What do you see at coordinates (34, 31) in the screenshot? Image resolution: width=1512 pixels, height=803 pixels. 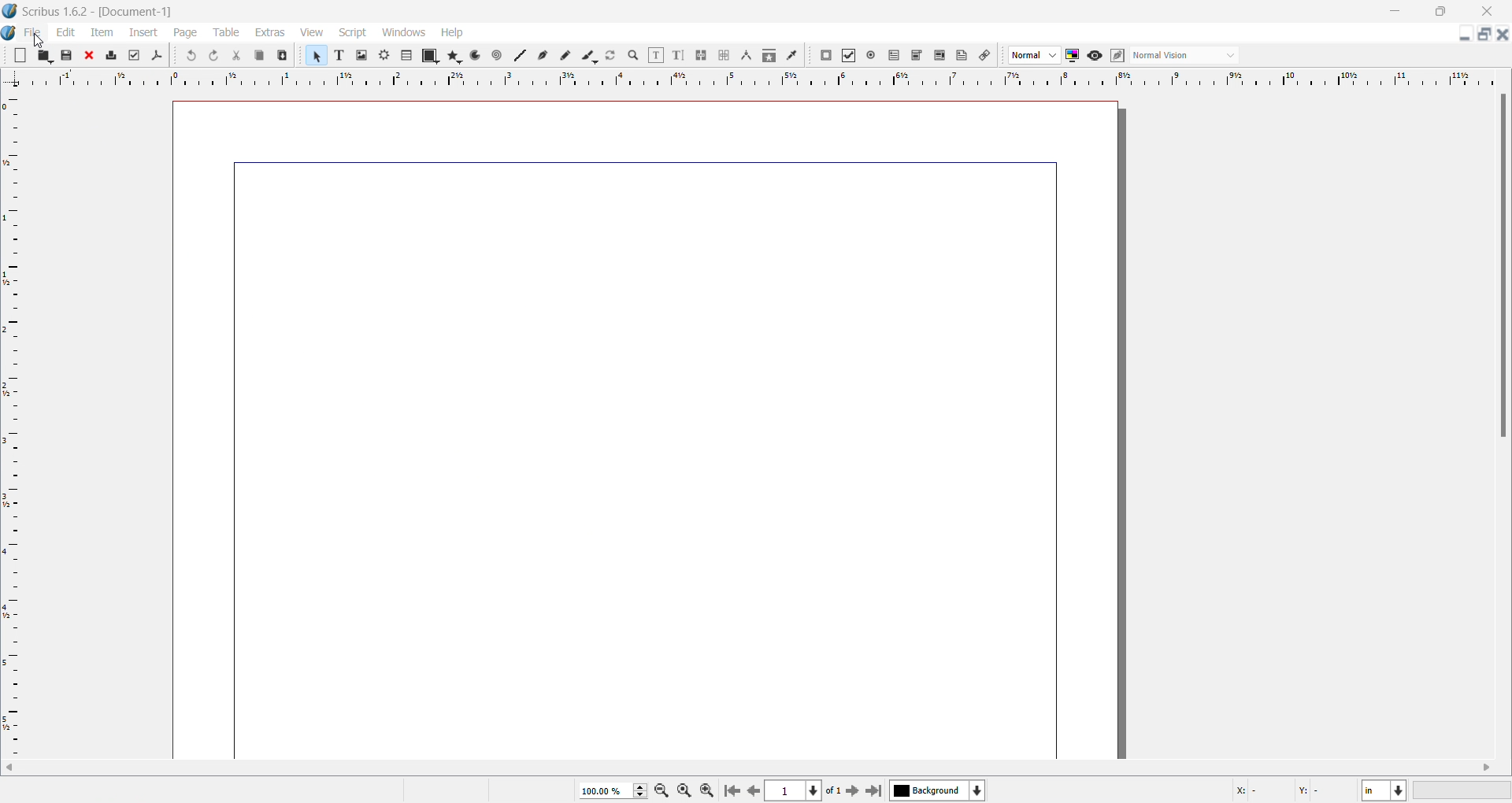 I see `File` at bounding box center [34, 31].